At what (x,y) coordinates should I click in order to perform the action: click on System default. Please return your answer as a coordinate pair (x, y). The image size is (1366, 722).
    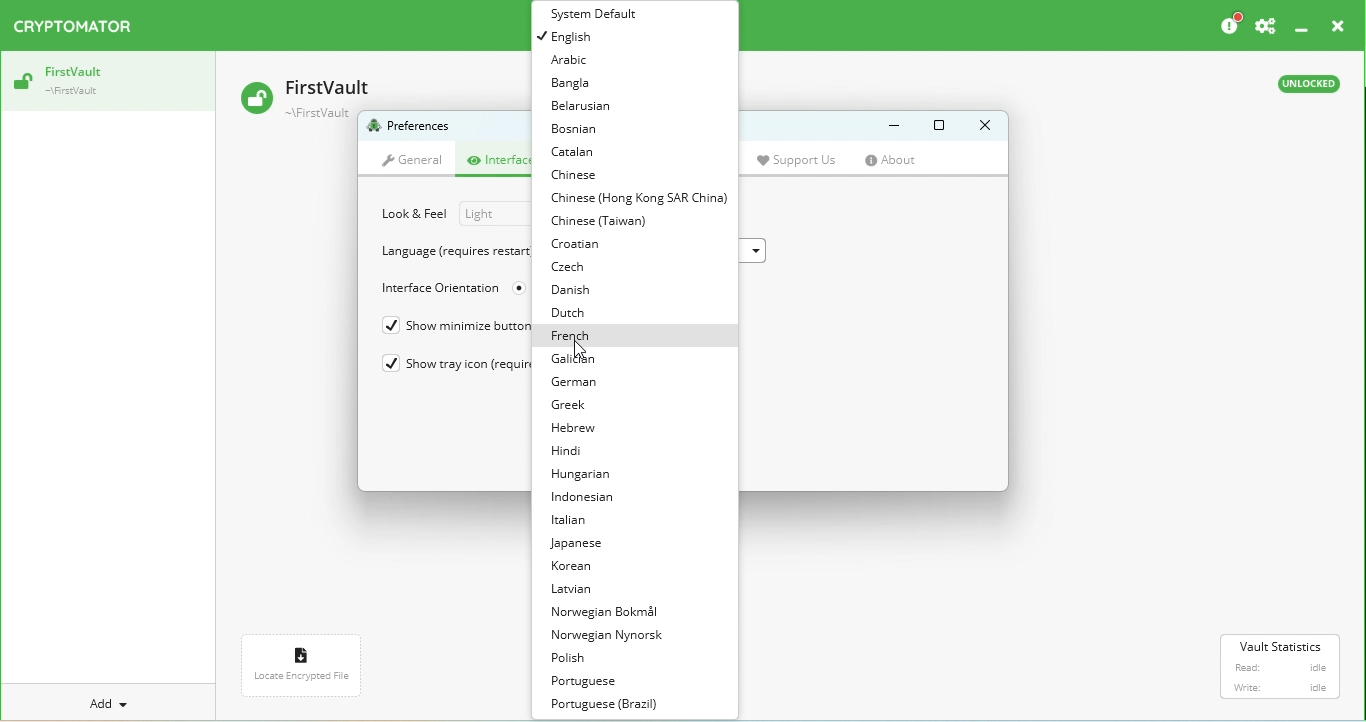
    Looking at the image, I should click on (600, 13).